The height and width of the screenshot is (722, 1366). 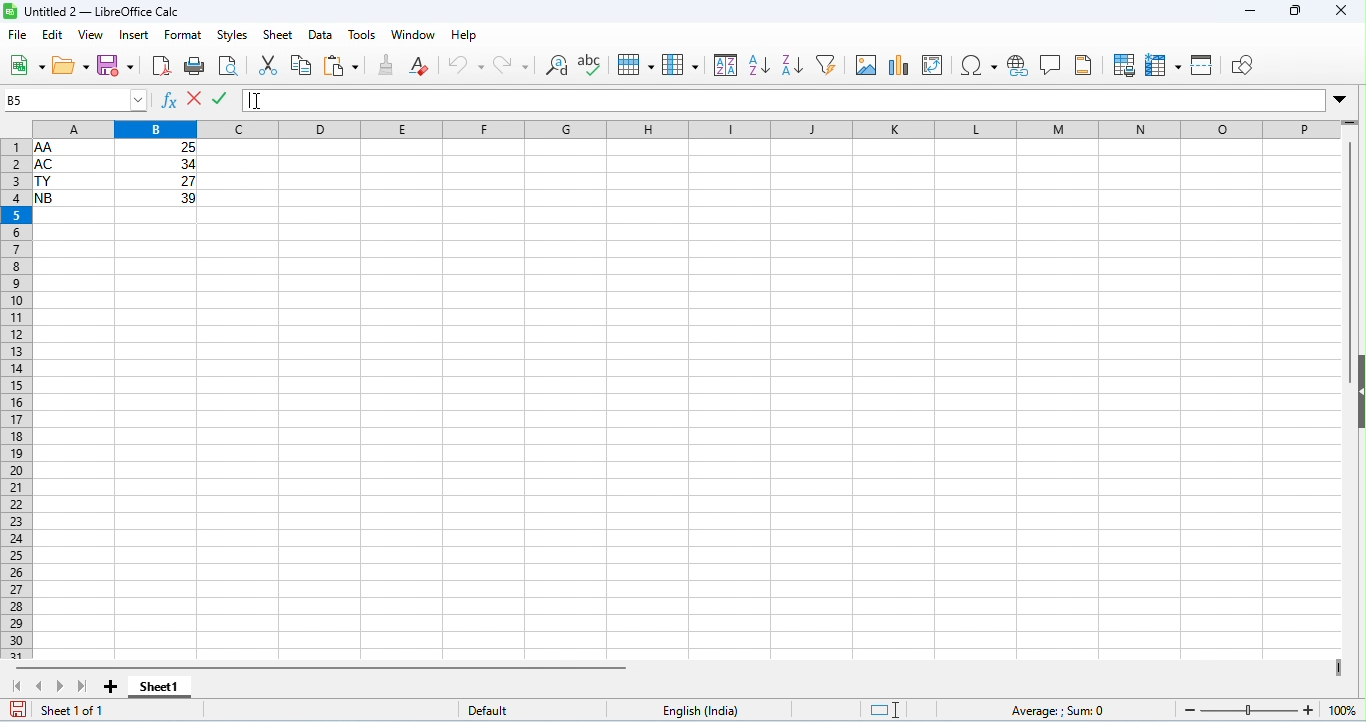 What do you see at coordinates (43, 685) in the screenshot?
I see `previous` at bounding box center [43, 685].